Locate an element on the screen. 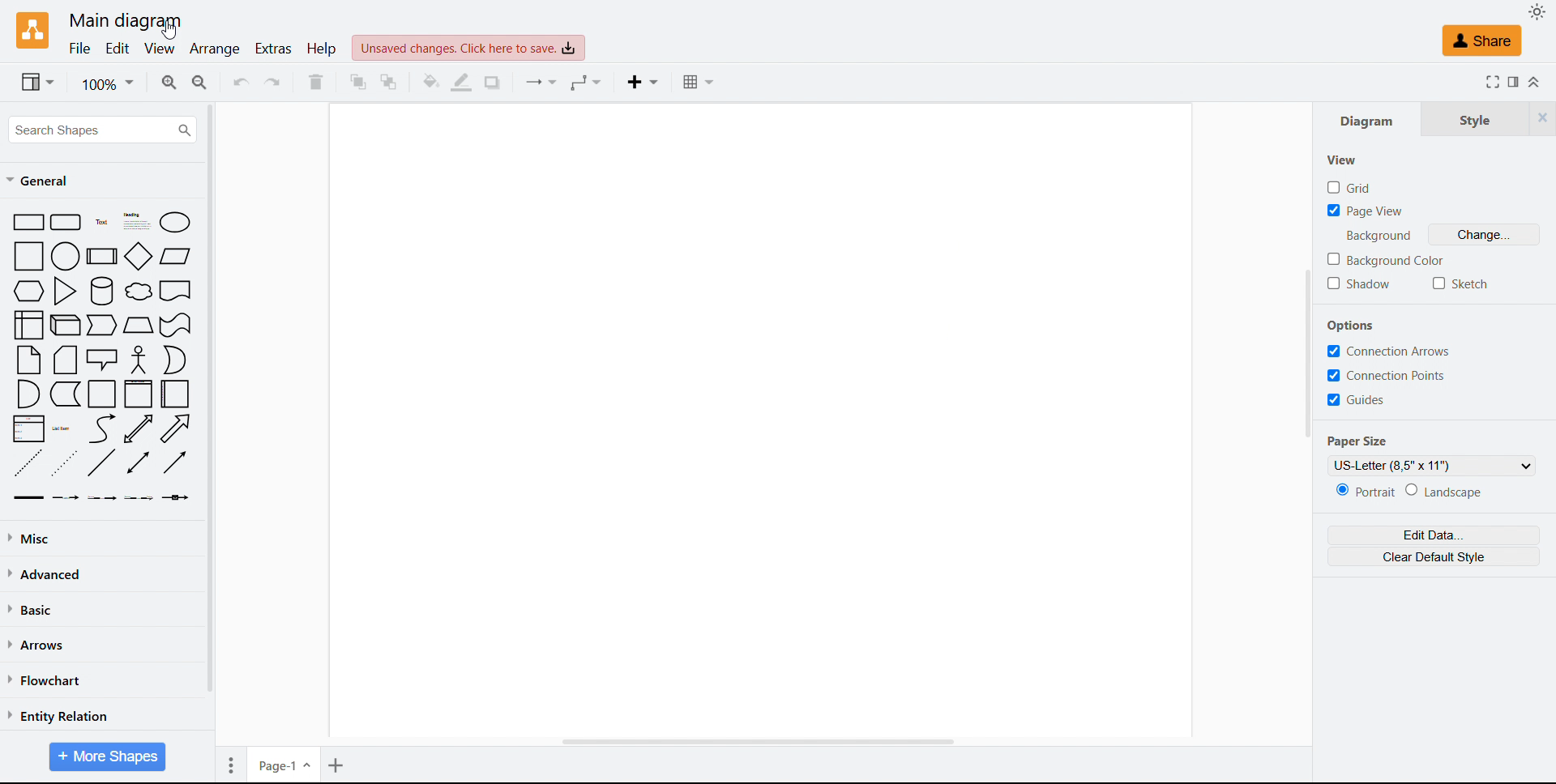  Cursor  is located at coordinates (170, 29).